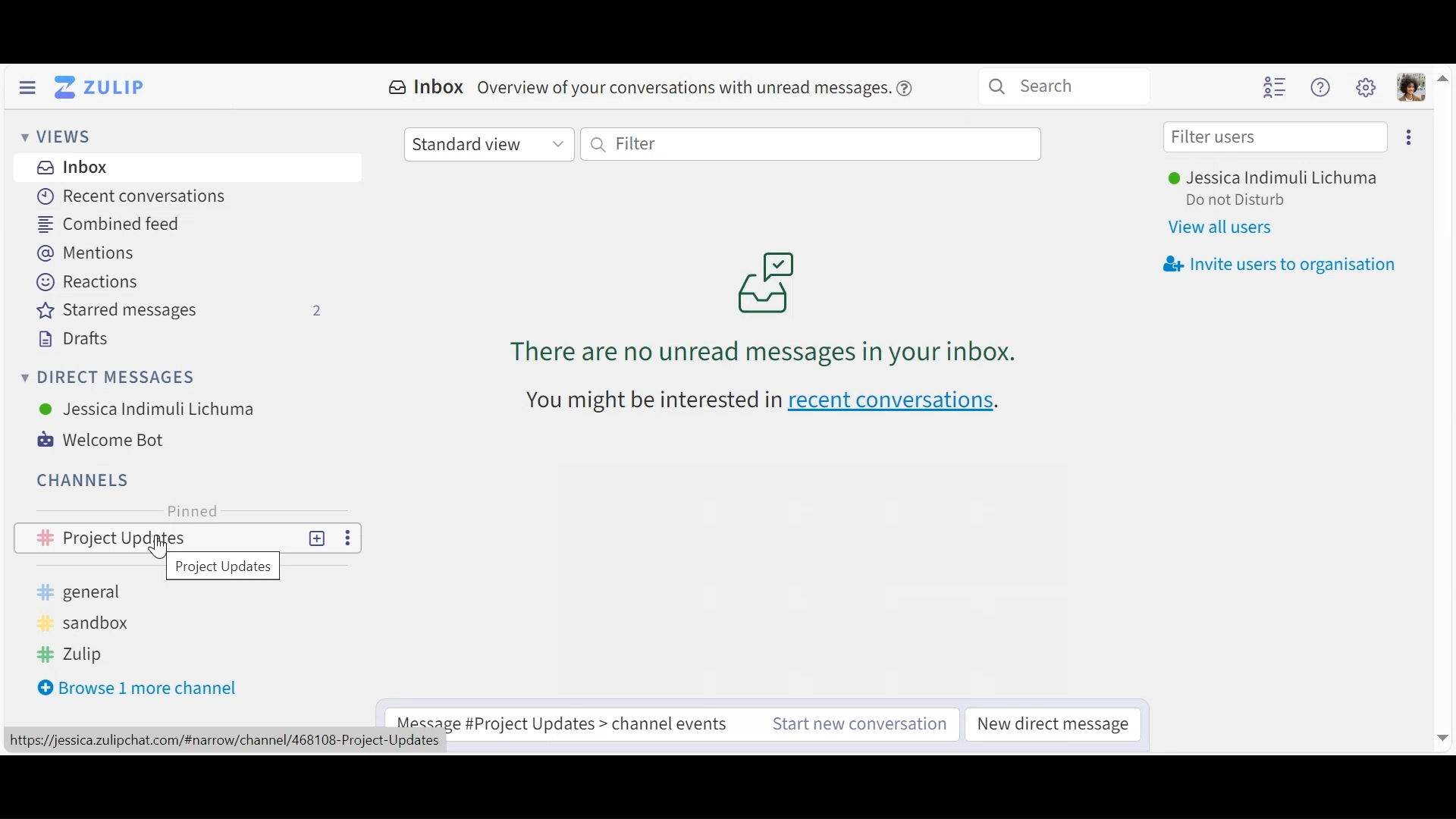 This screenshot has height=819, width=1456. What do you see at coordinates (188, 538) in the screenshot?
I see `Channel` at bounding box center [188, 538].